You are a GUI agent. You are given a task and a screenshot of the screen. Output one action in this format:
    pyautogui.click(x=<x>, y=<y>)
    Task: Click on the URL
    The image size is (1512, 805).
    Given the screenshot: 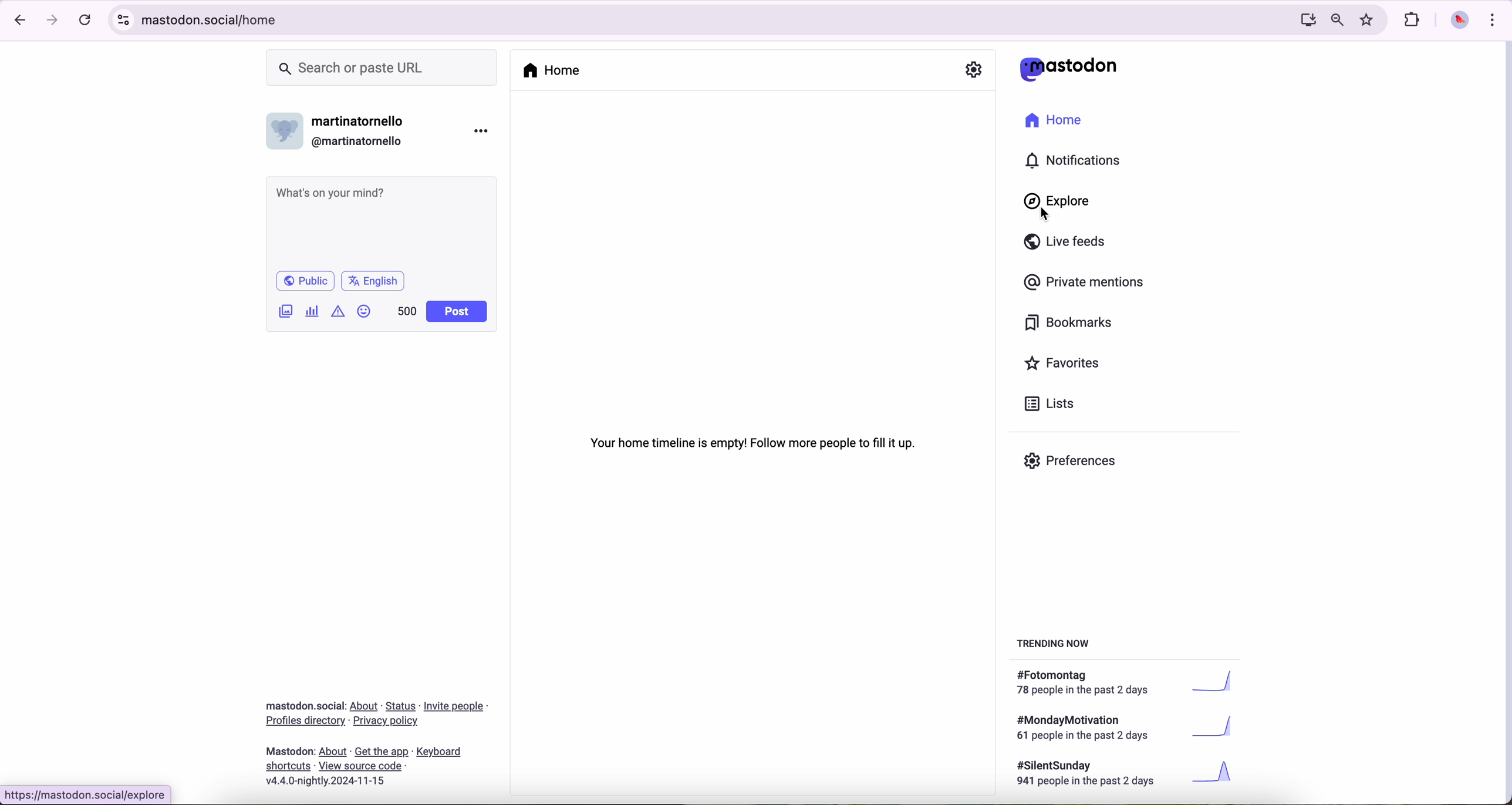 What is the action you would take?
    pyautogui.click(x=217, y=18)
    